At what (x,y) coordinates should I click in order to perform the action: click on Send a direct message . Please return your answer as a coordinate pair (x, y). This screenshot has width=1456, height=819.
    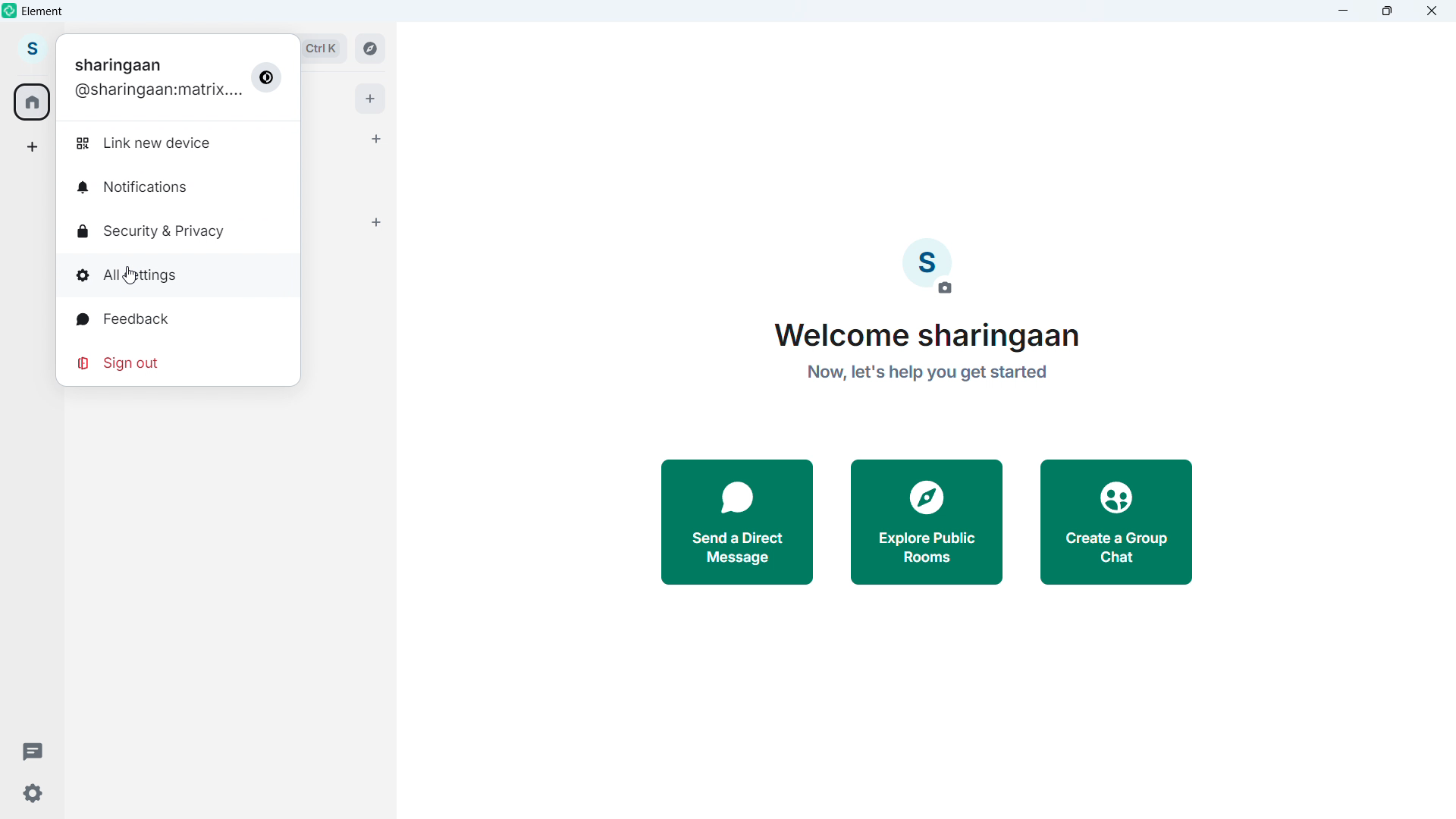
    Looking at the image, I should click on (737, 522).